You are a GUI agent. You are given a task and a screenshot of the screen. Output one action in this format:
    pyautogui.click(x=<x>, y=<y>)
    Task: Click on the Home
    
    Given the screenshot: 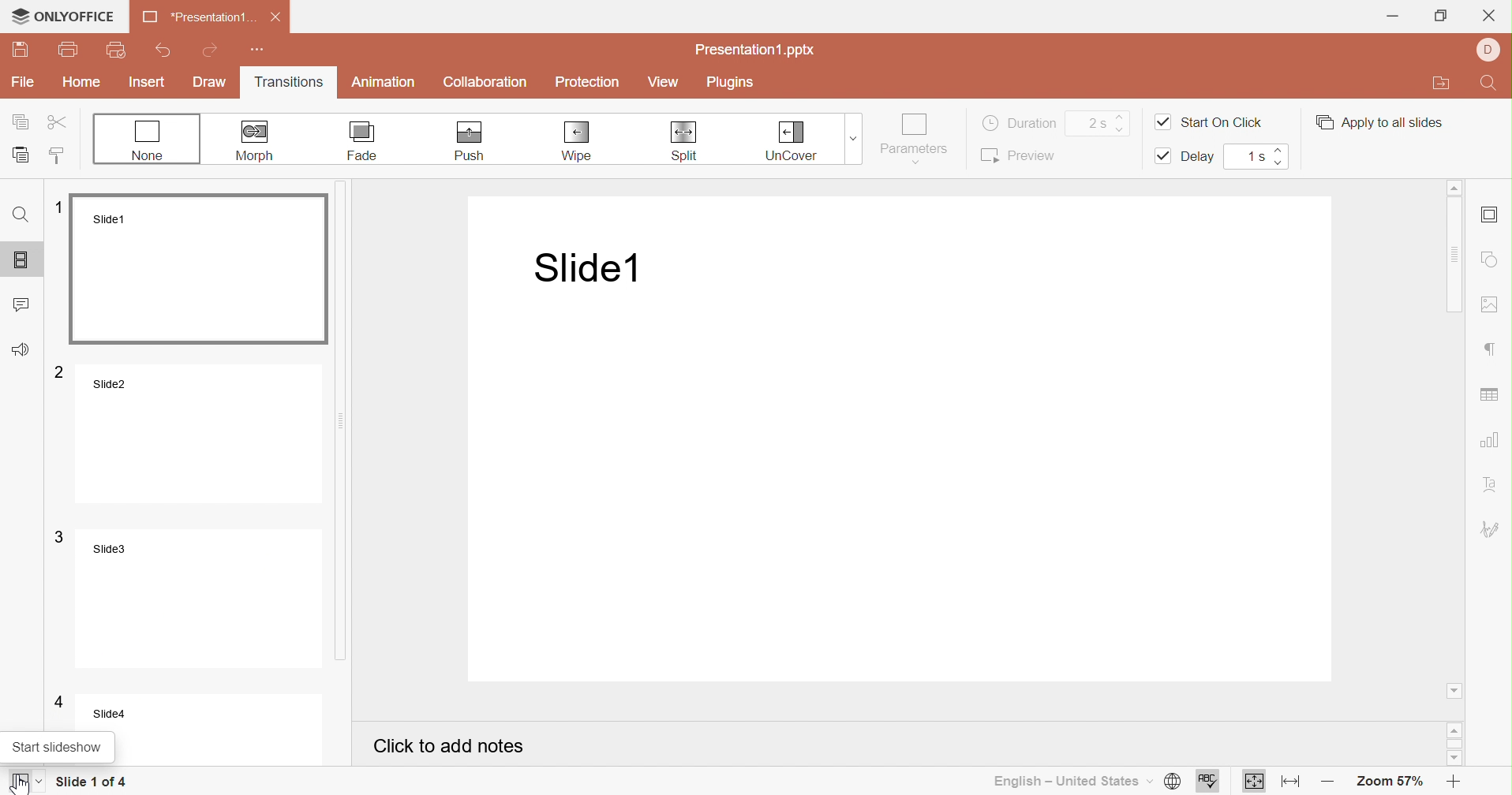 What is the action you would take?
    pyautogui.click(x=81, y=81)
    